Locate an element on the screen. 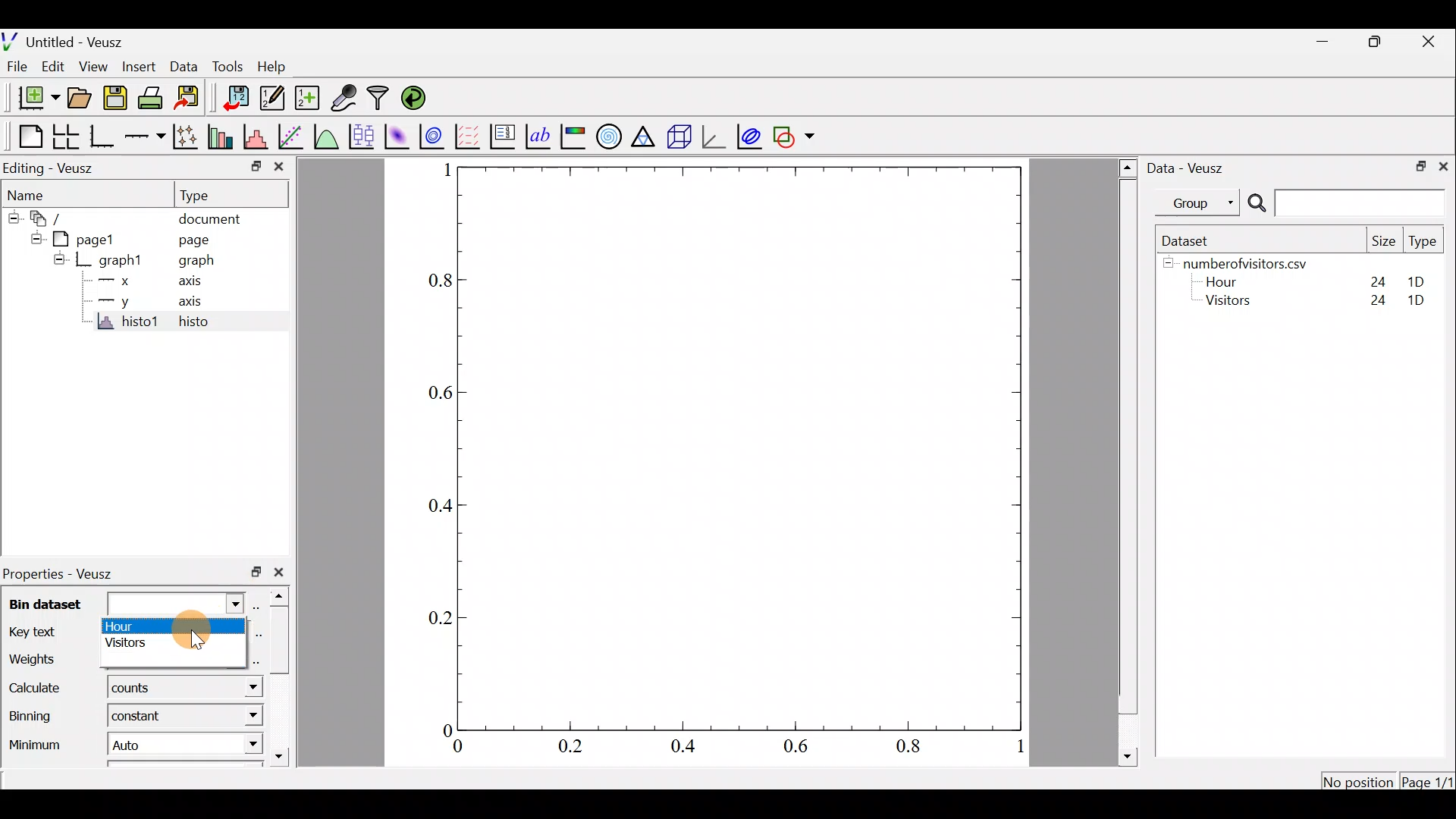 This screenshot has height=819, width=1456. 24 is located at coordinates (1374, 301).